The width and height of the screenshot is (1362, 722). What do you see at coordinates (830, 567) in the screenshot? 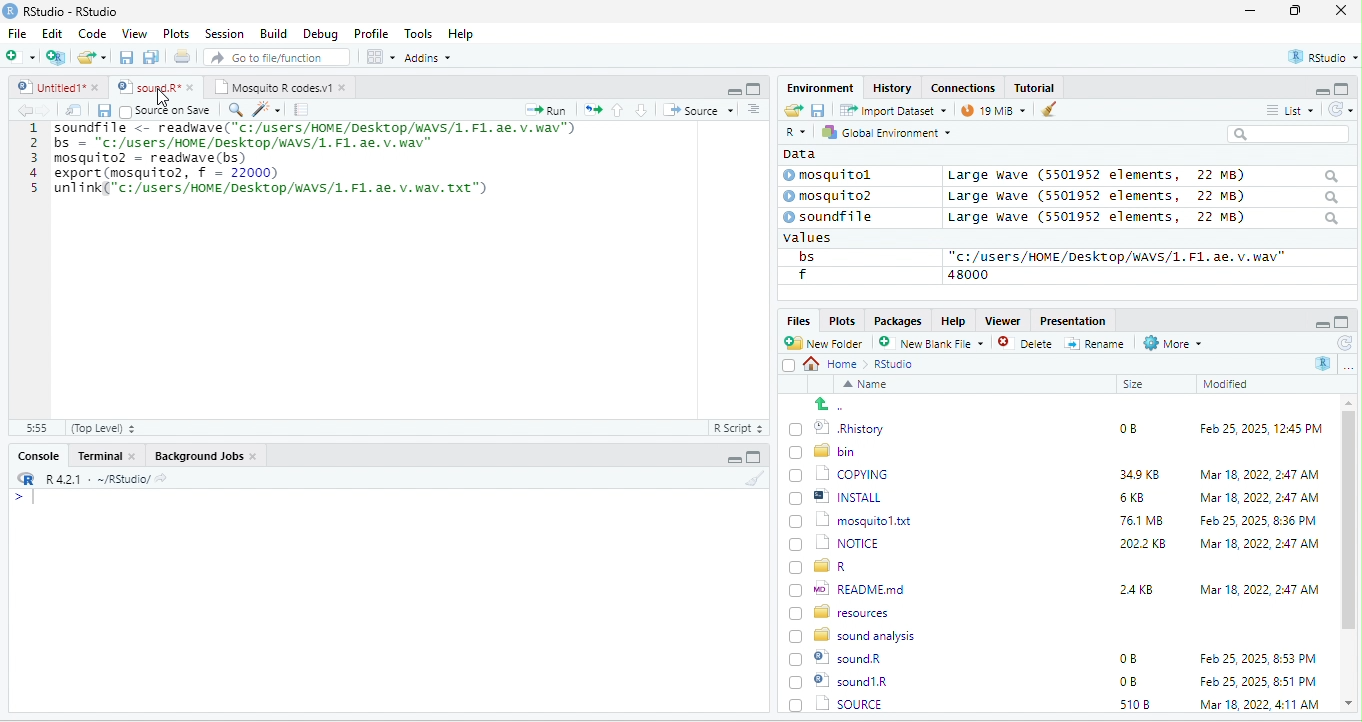
I see `[) = R` at bounding box center [830, 567].